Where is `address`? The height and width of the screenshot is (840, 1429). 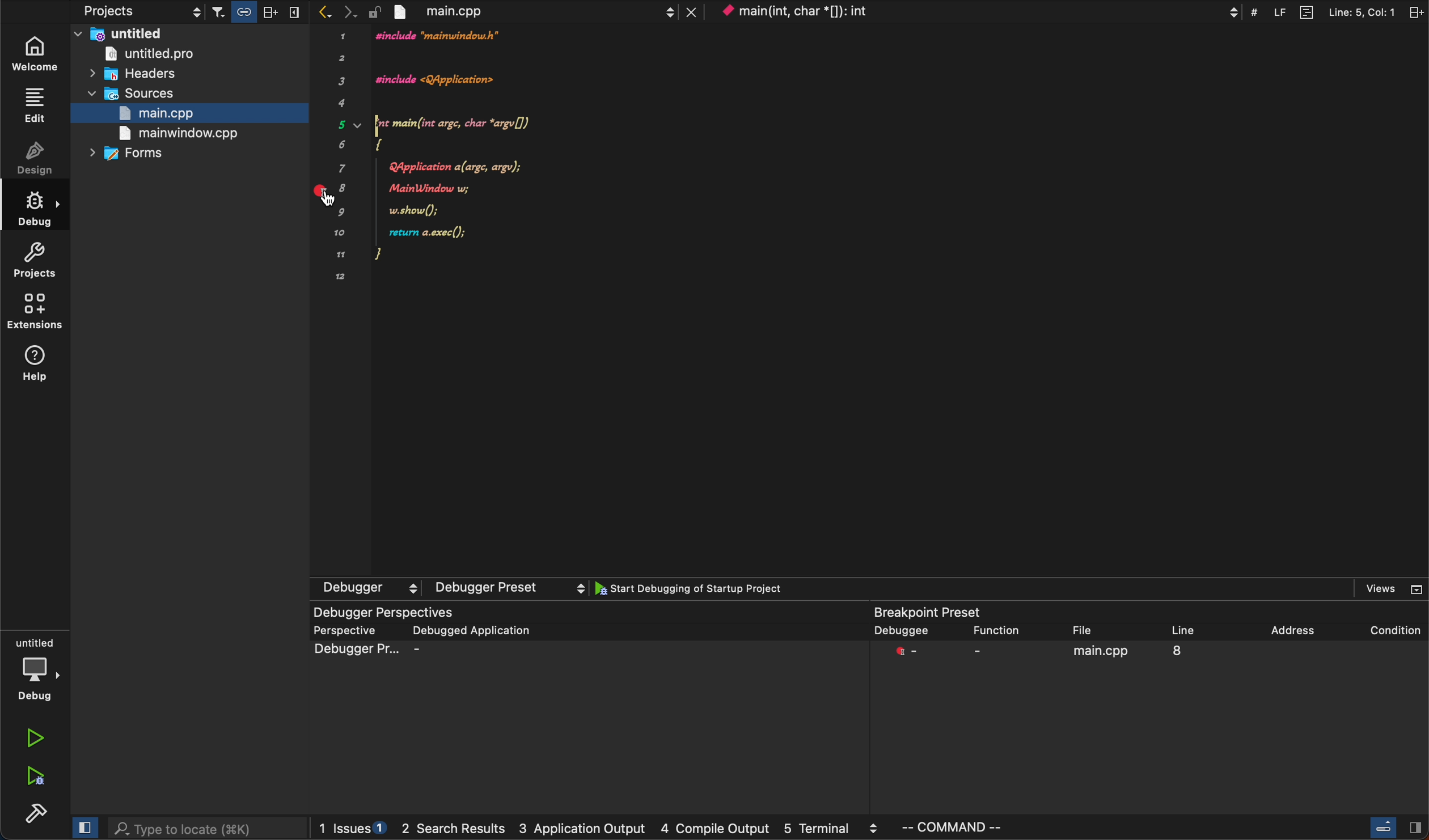 address is located at coordinates (1293, 626).